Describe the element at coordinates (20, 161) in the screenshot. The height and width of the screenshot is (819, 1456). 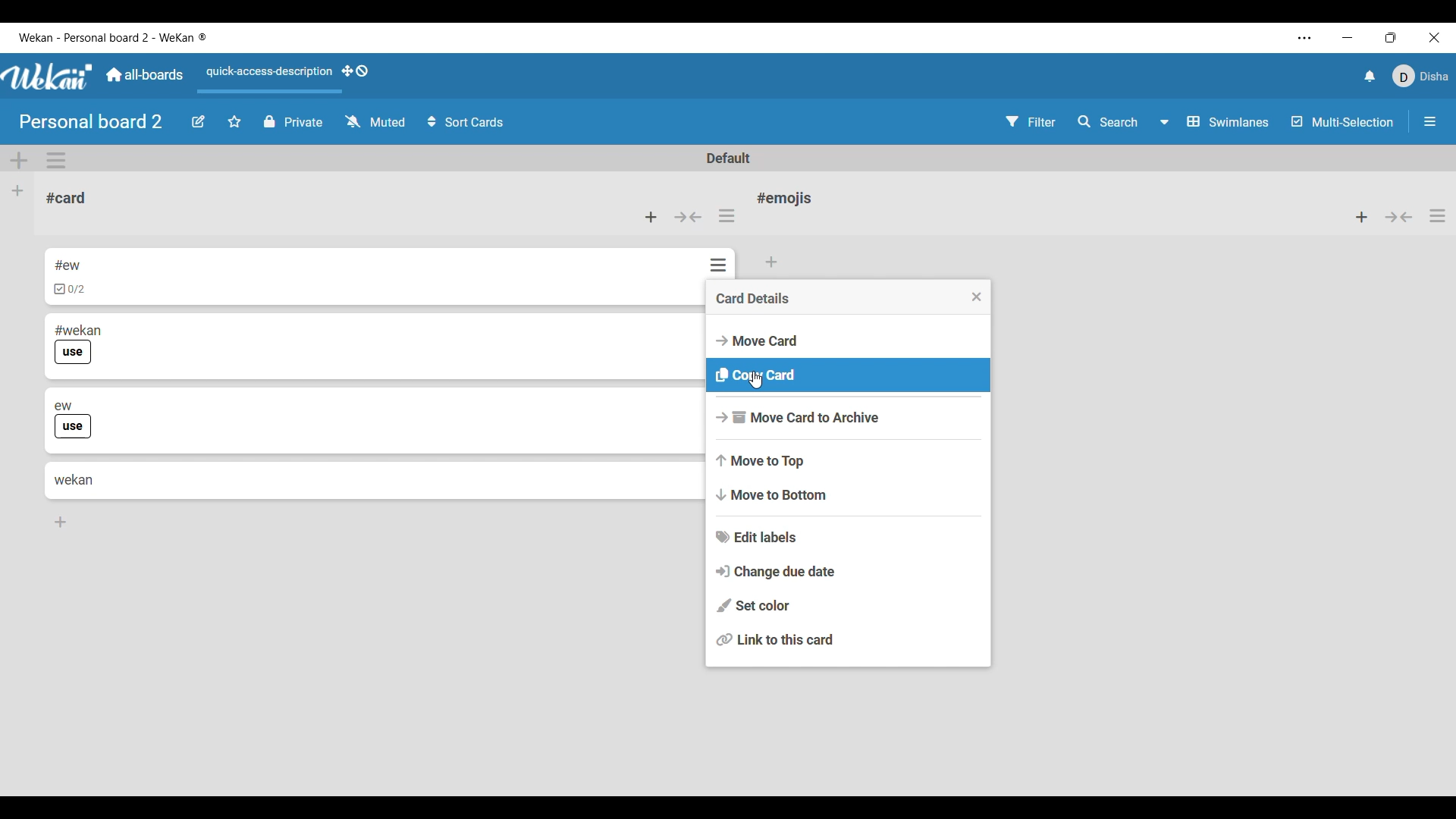
I see `Add swimlane` at that location.